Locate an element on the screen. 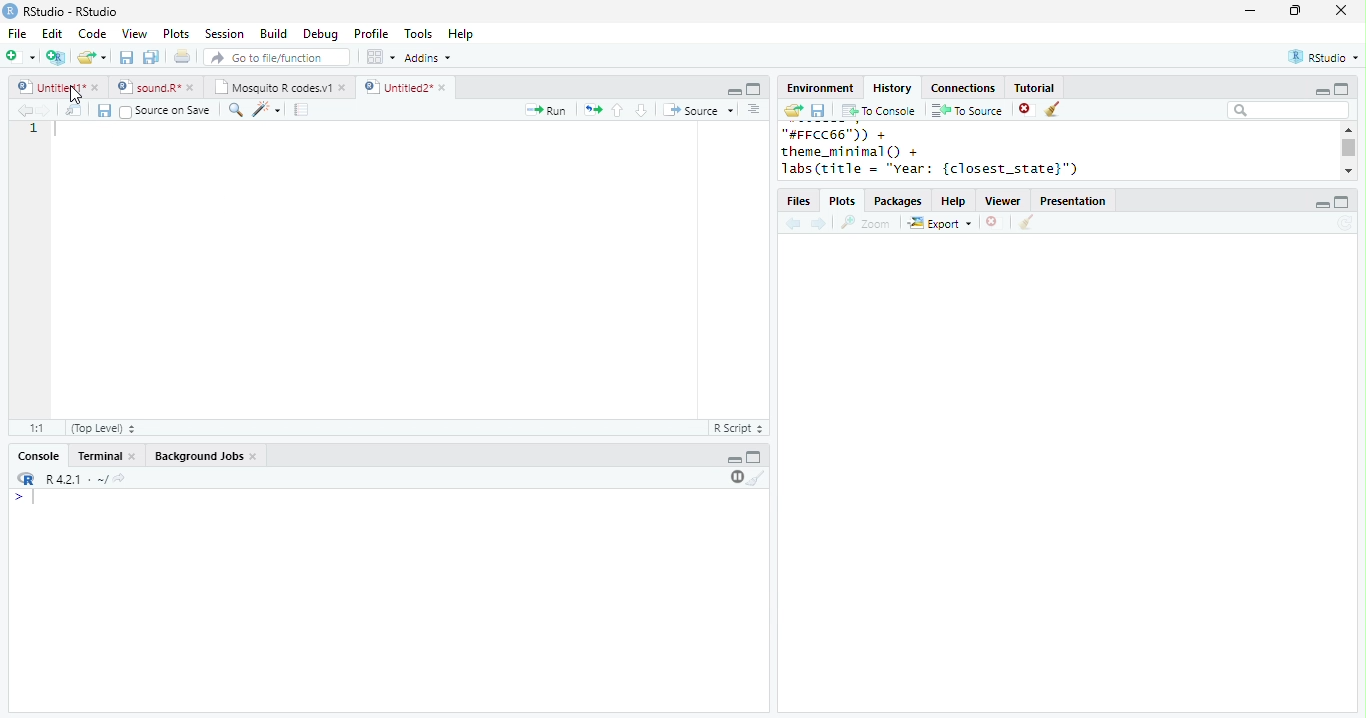 This screenshot has width=1366, height=718. File is located at coordinates (17, 34).